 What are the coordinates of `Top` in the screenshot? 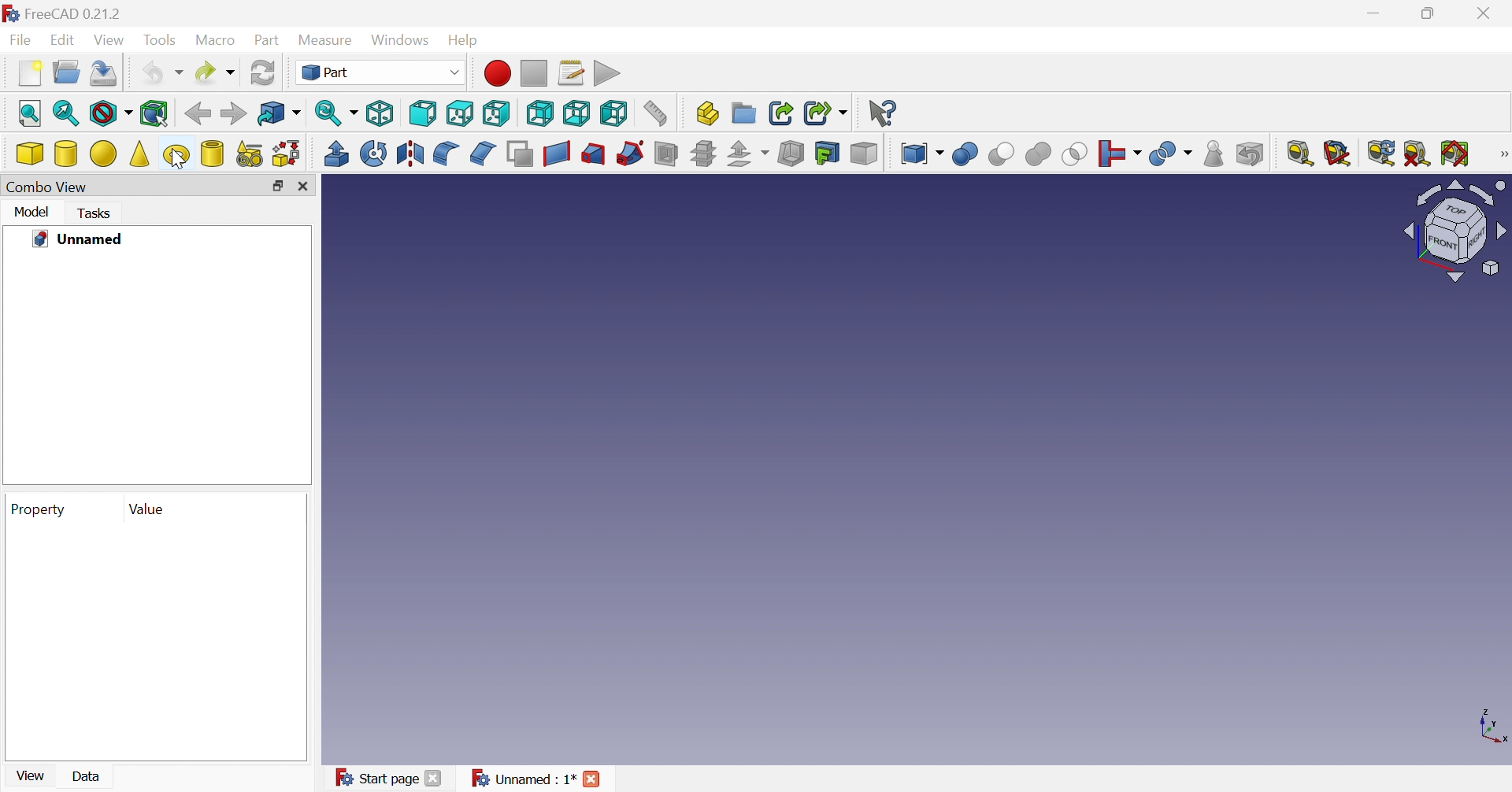 It's located at (459, 113).